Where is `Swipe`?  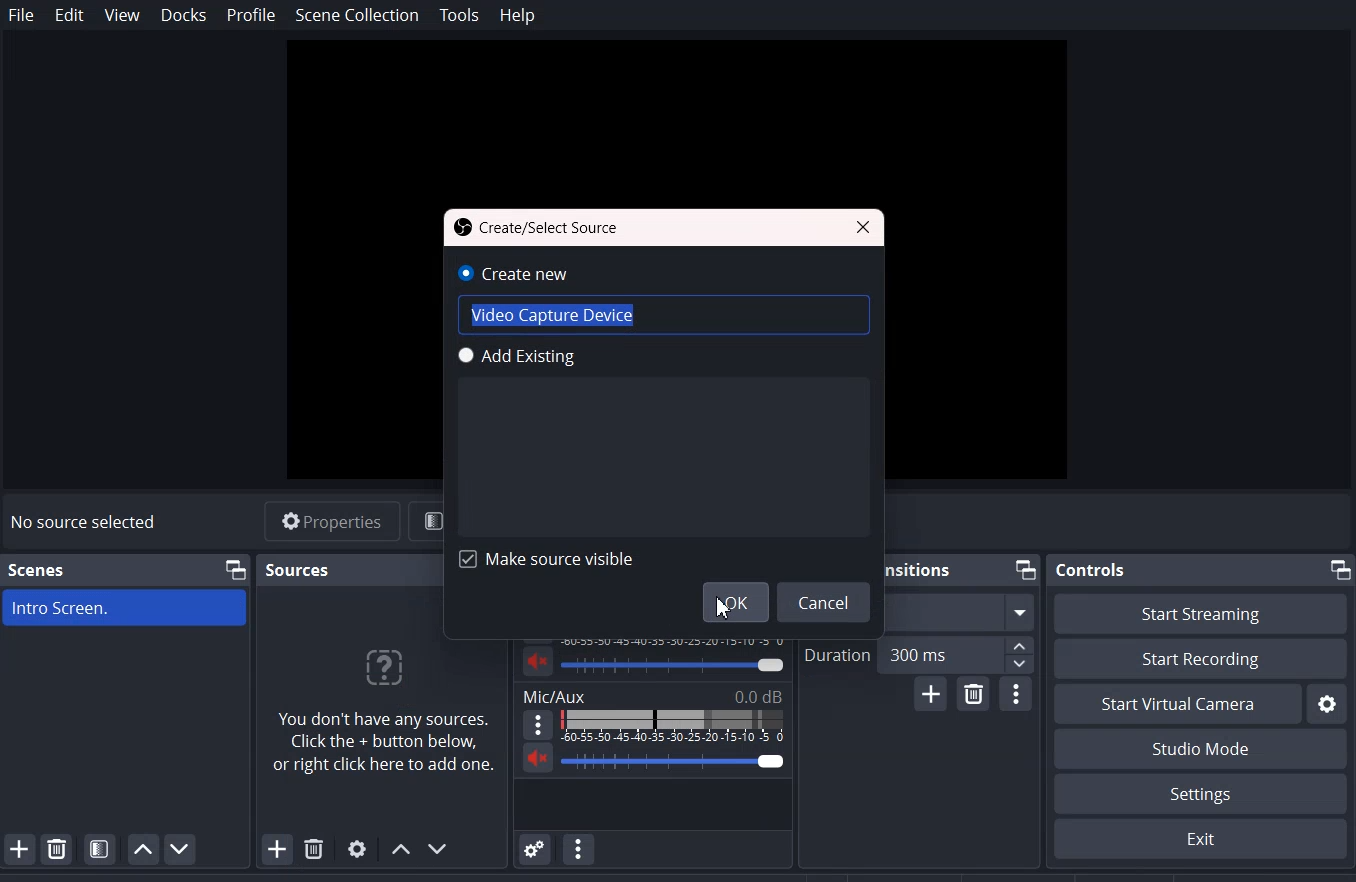 Swipe is located at coordinates (960, 610).